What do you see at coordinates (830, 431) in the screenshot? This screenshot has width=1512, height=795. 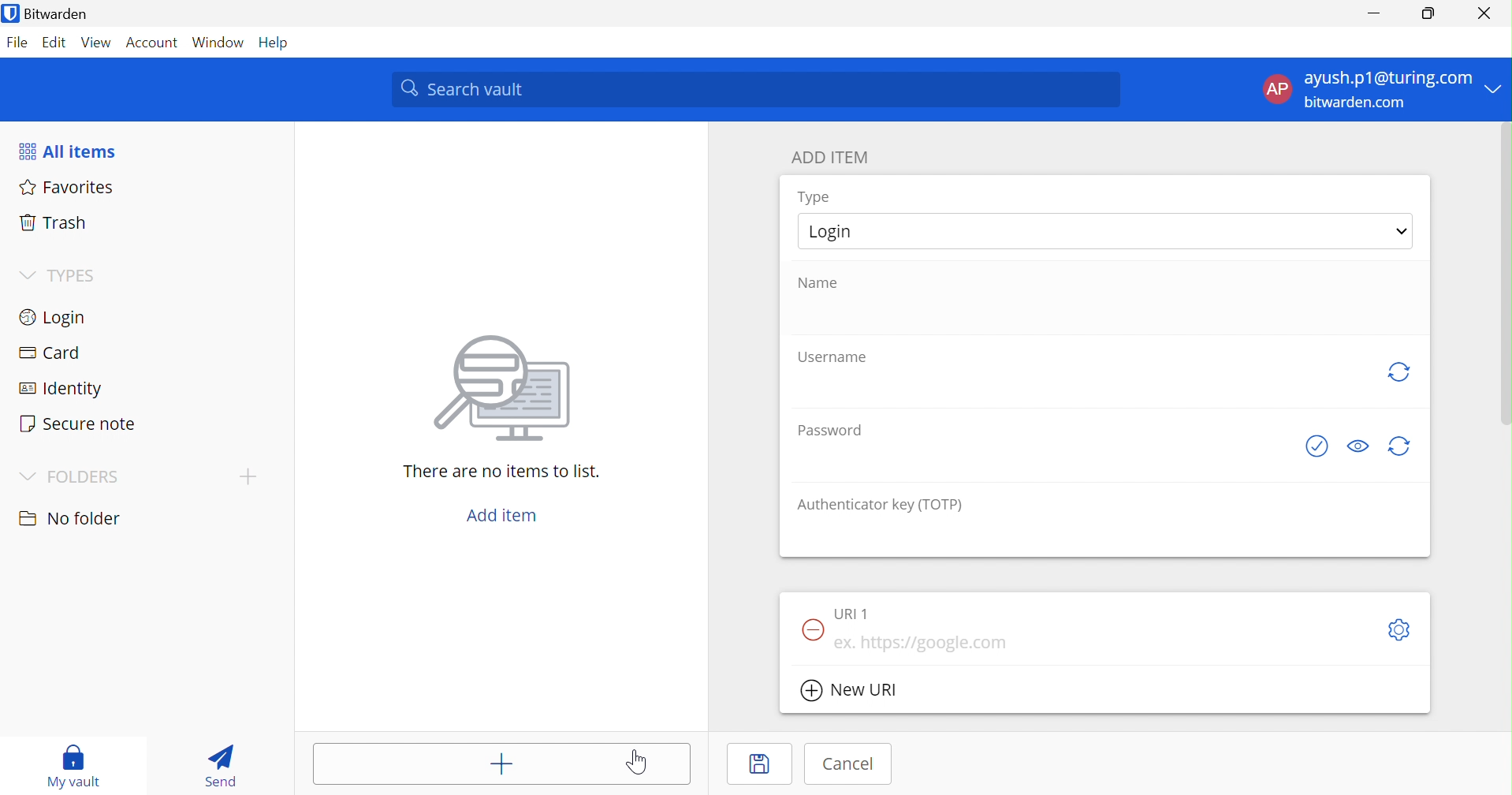 I see `Password` at bounding box center [830, 431].